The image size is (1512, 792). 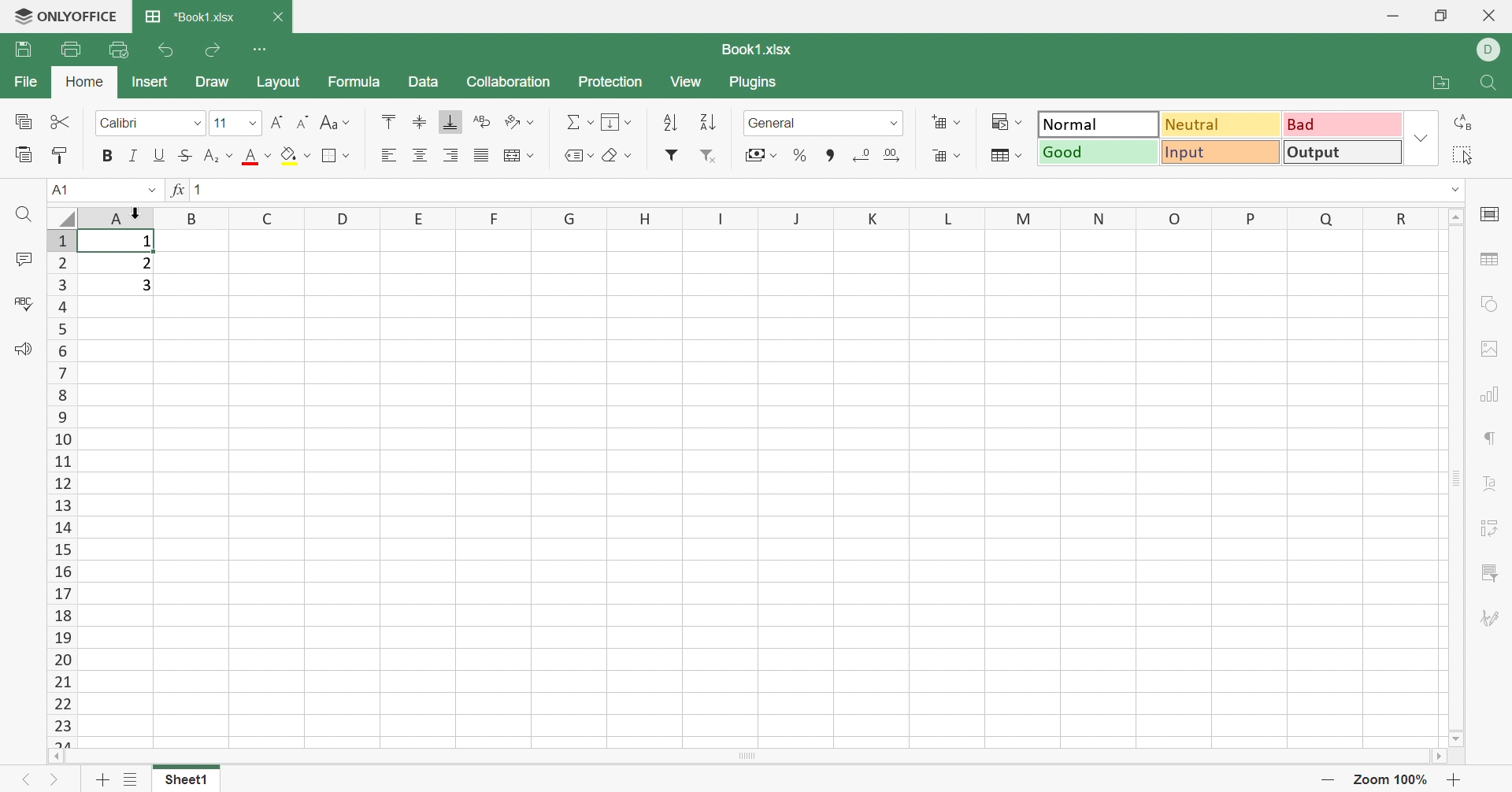 I want to click on Image settings, so click(x=1489, y=349).